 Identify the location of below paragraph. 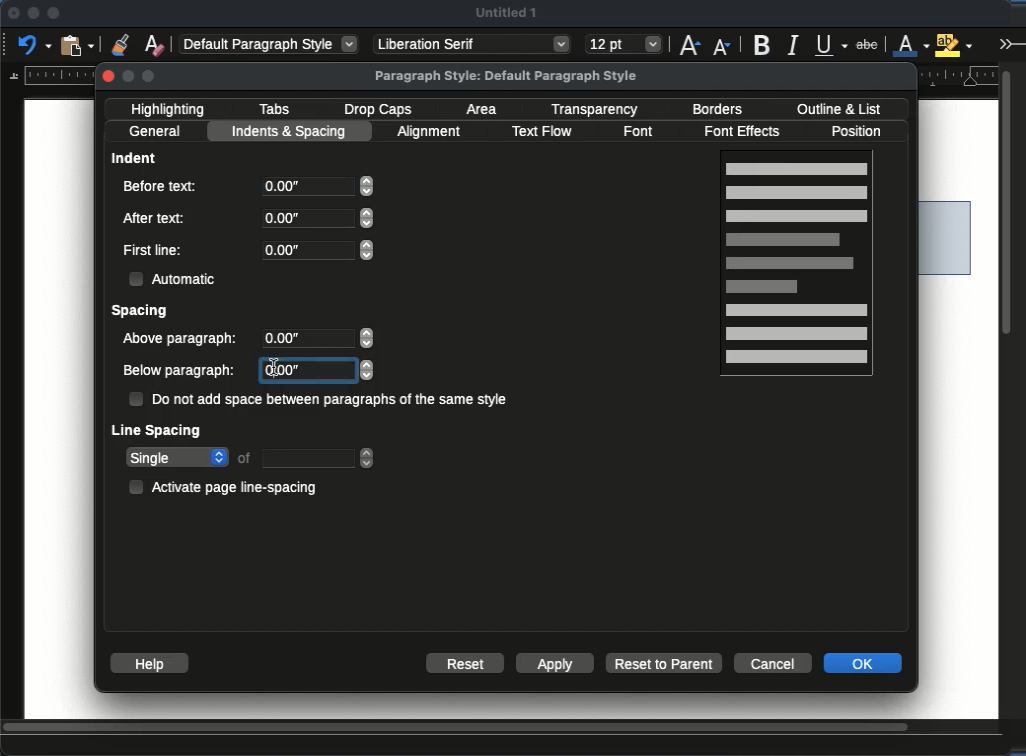
(182, 372).